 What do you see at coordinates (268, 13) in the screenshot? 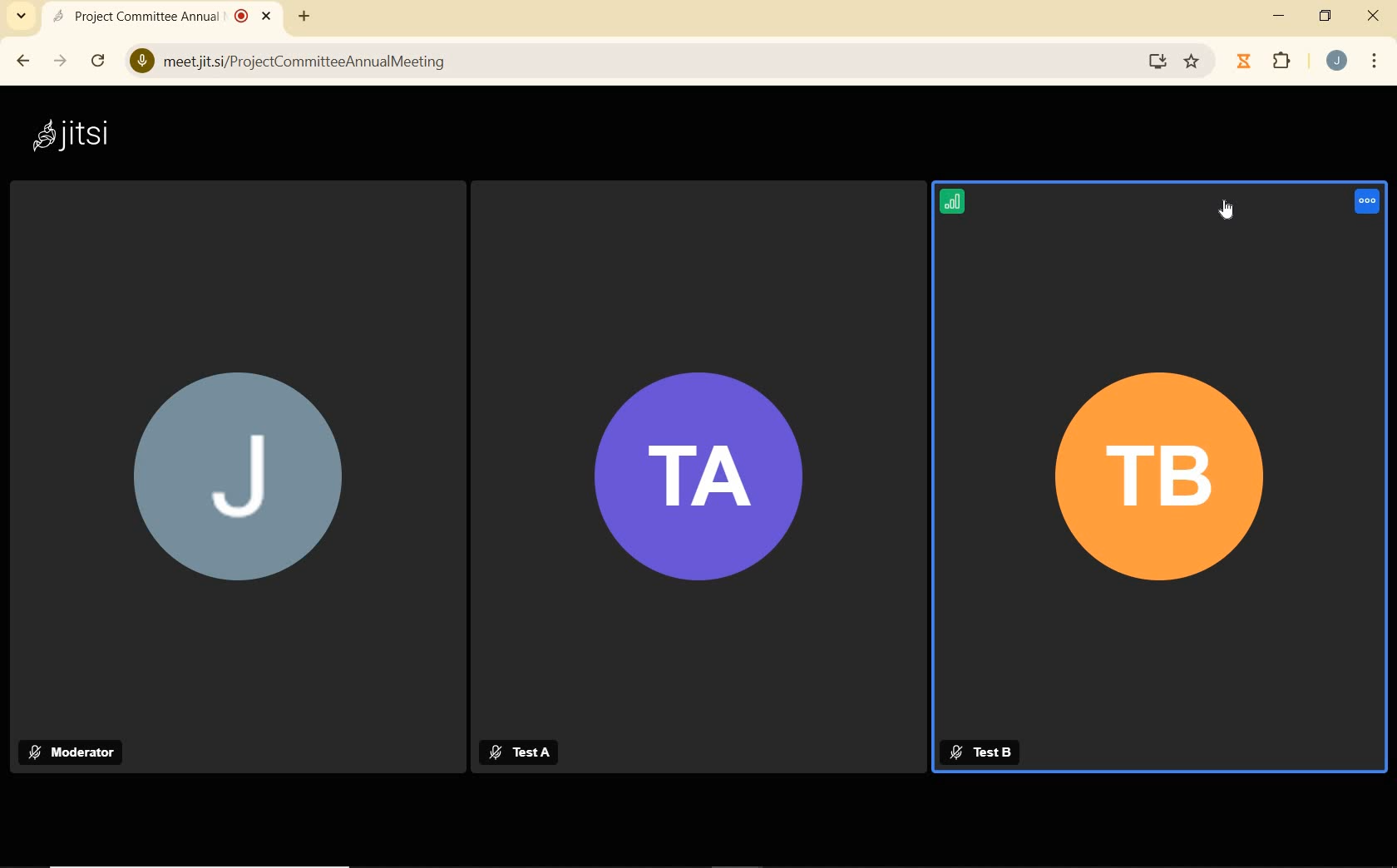
I see `CLOSE` at bounding box center [268, 13].